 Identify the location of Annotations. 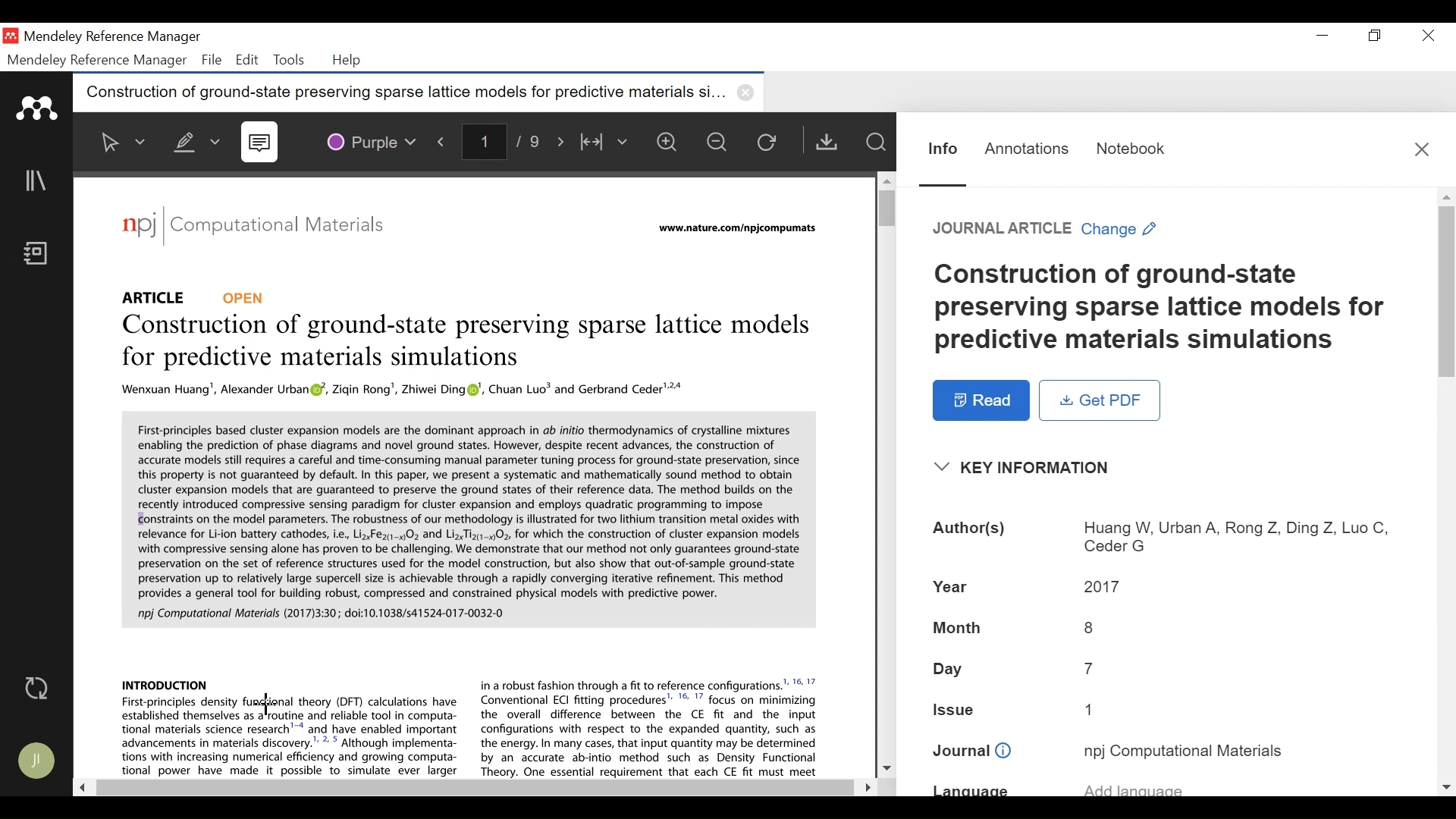
(1027, 147).